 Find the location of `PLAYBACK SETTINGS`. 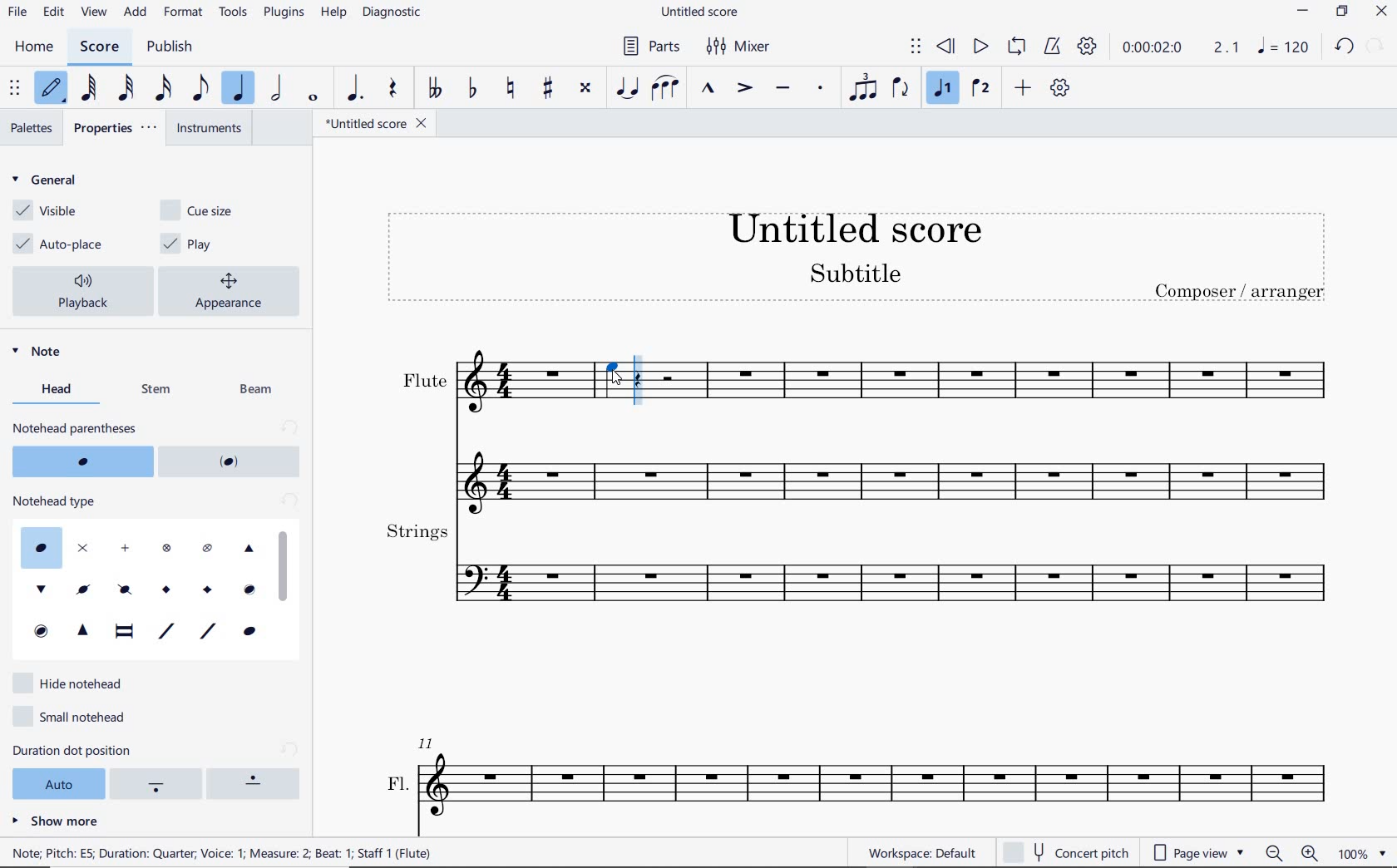

PLAYBACK SETTINGS is located at coordinates (1088, 49).